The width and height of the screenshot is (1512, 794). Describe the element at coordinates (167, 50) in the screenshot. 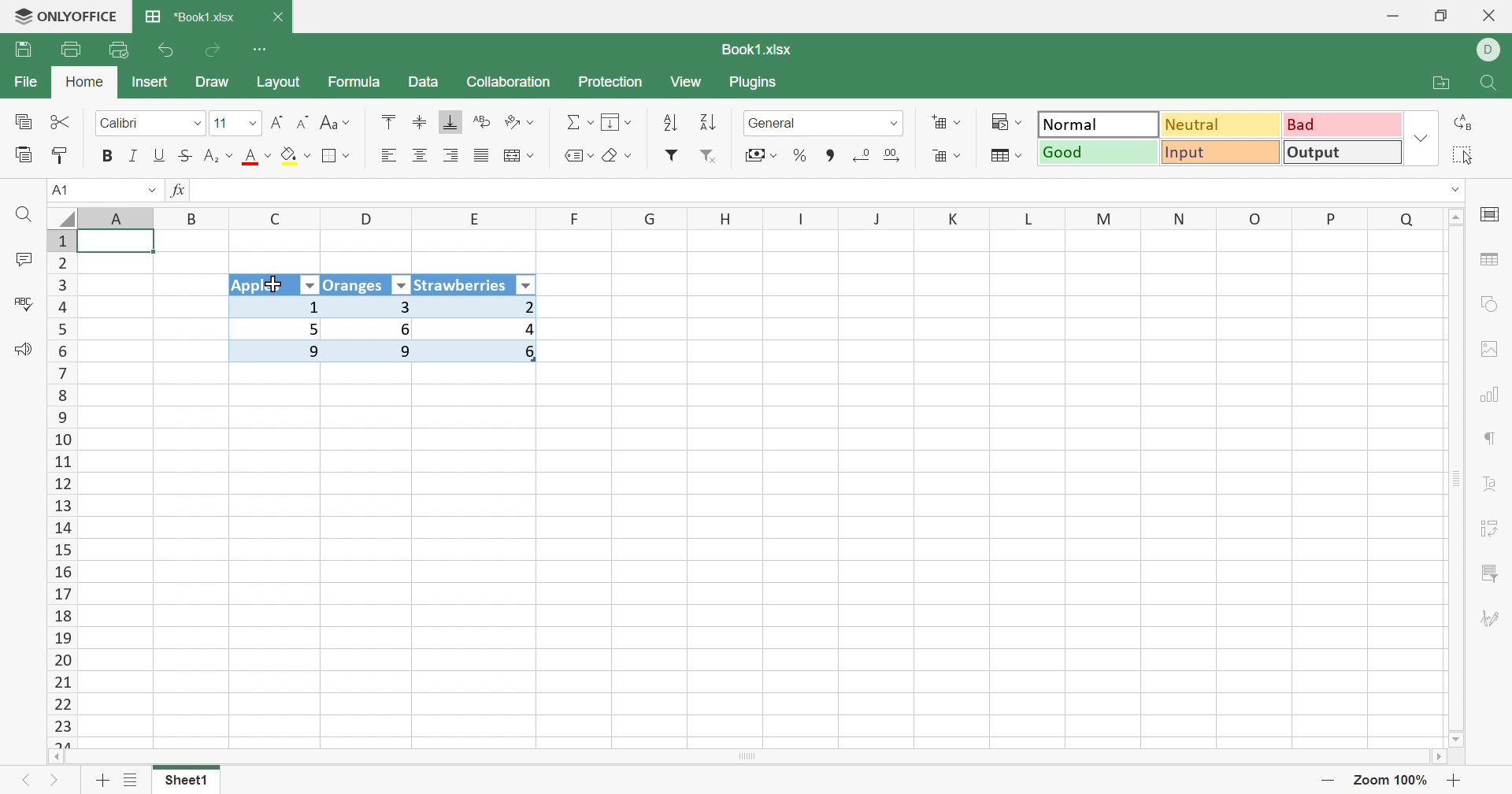

I see `Undo` at that location.